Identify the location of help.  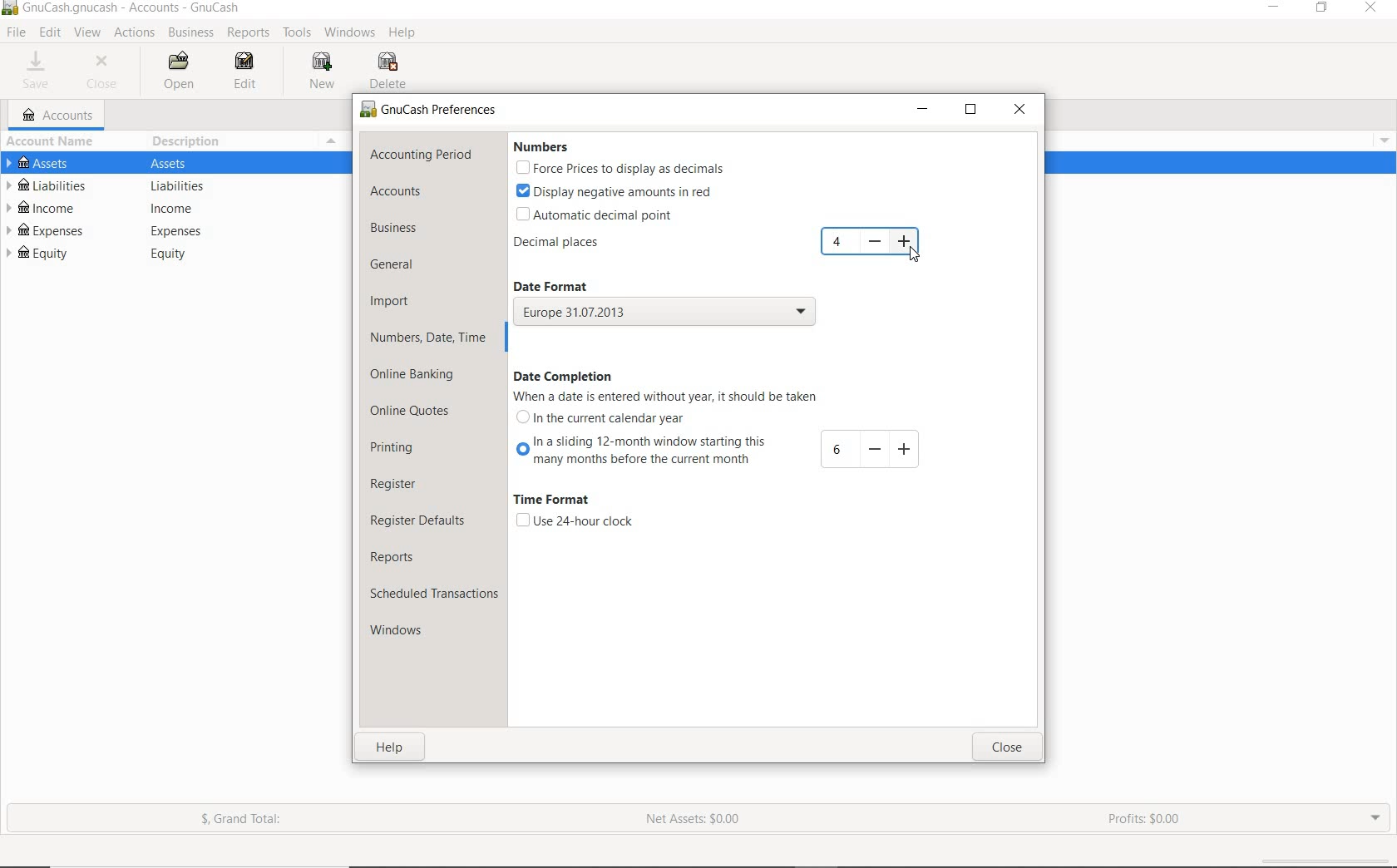
(392, 747).